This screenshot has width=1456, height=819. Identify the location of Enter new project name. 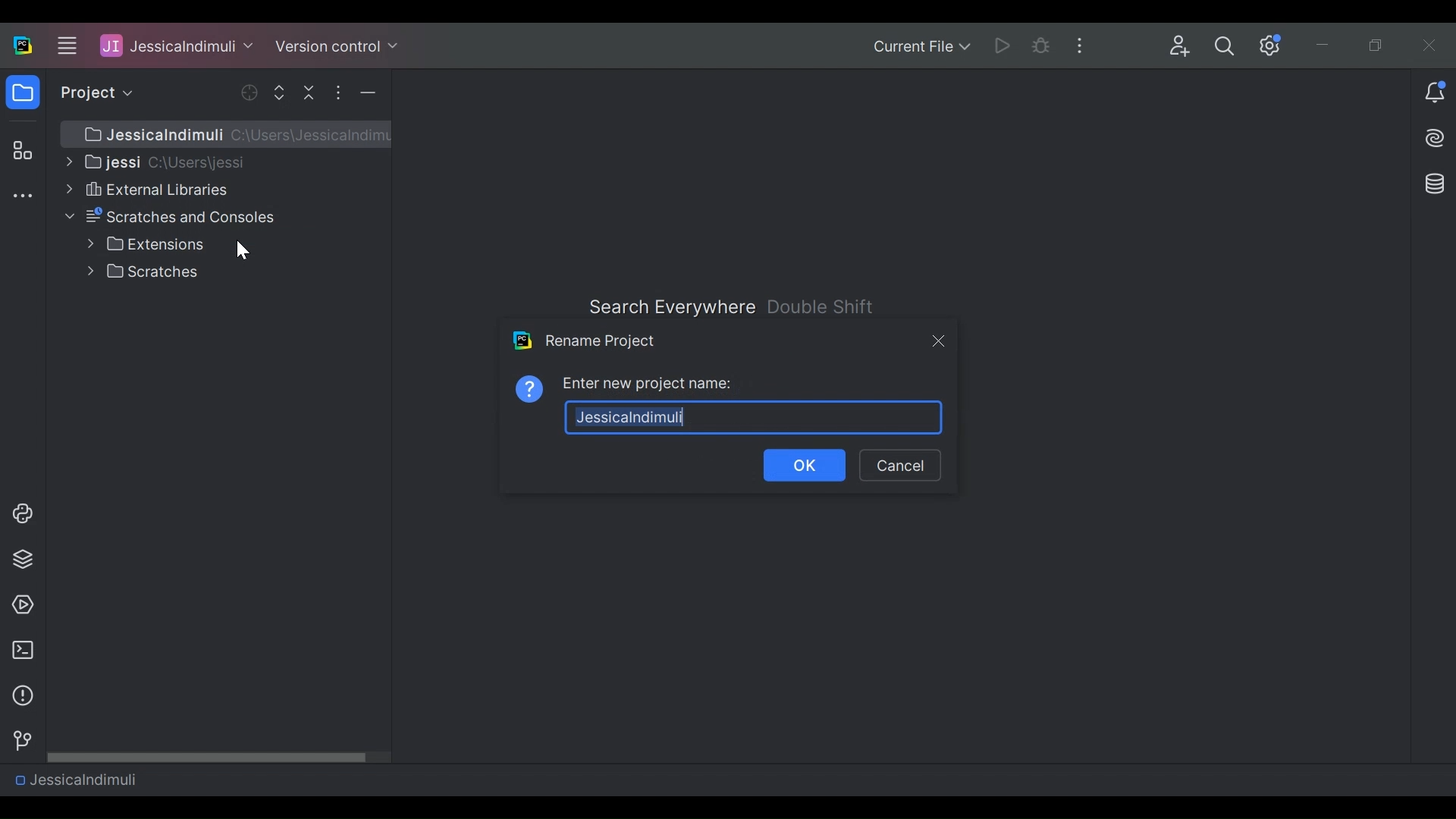
(649, 384).